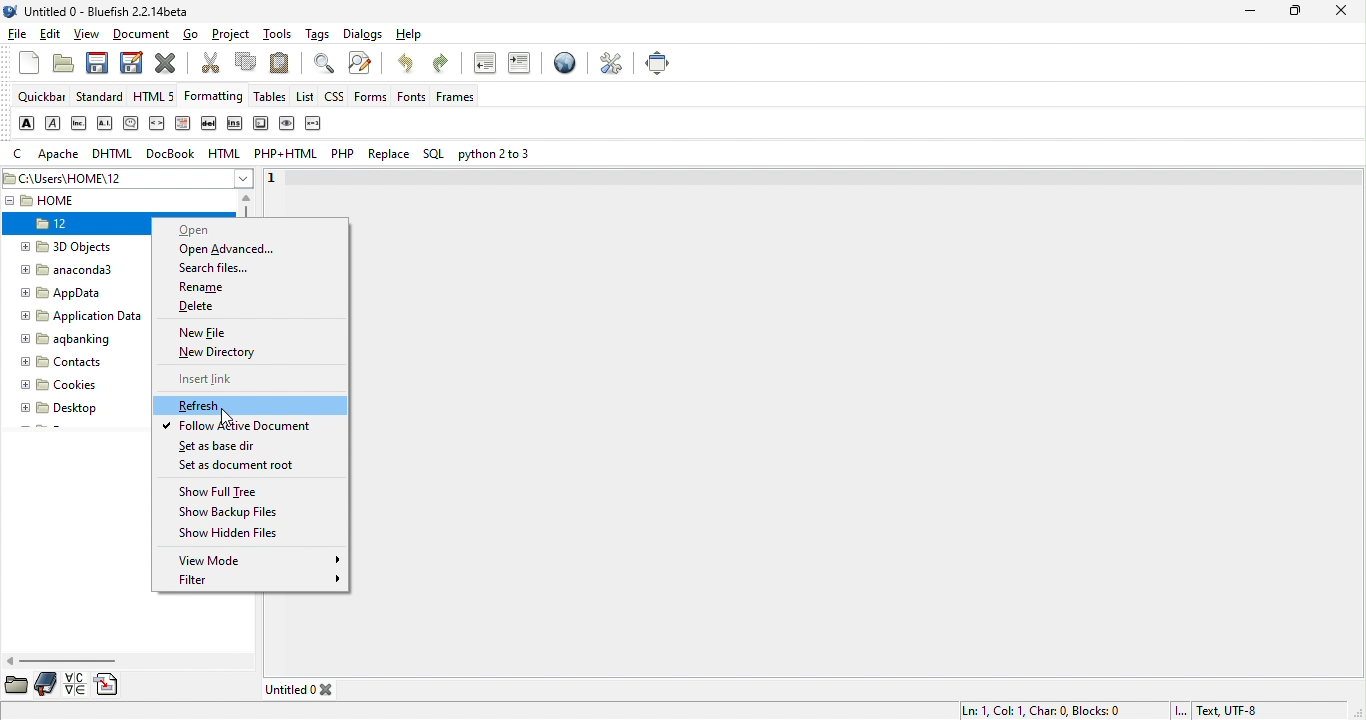 This screenshot has width=1366, height=720. What do you see at coordinates (222, 267) in the screenshot?
I see `search files` at bounding box center [222, 267].